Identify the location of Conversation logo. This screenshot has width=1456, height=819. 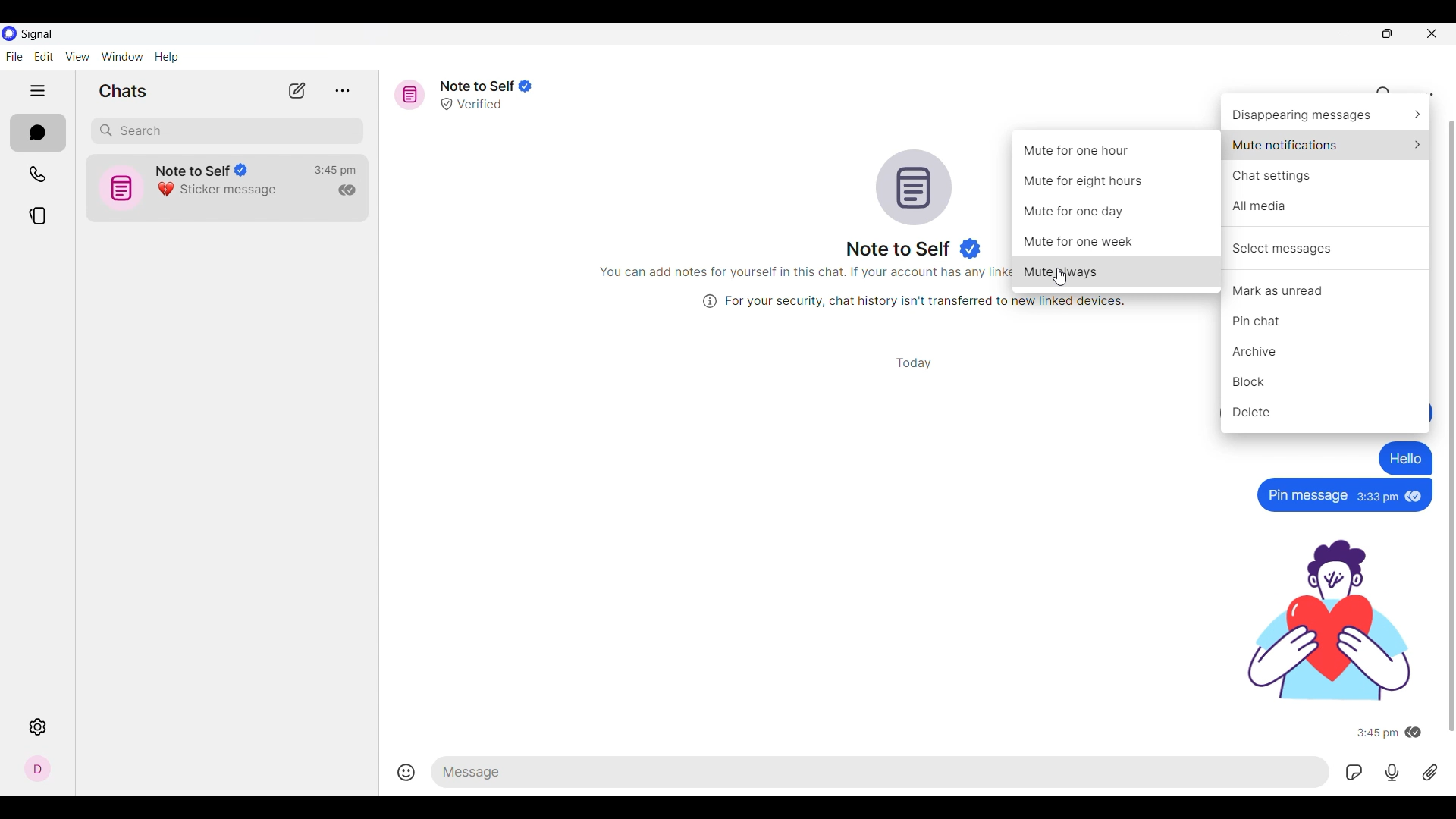
(914, 187).